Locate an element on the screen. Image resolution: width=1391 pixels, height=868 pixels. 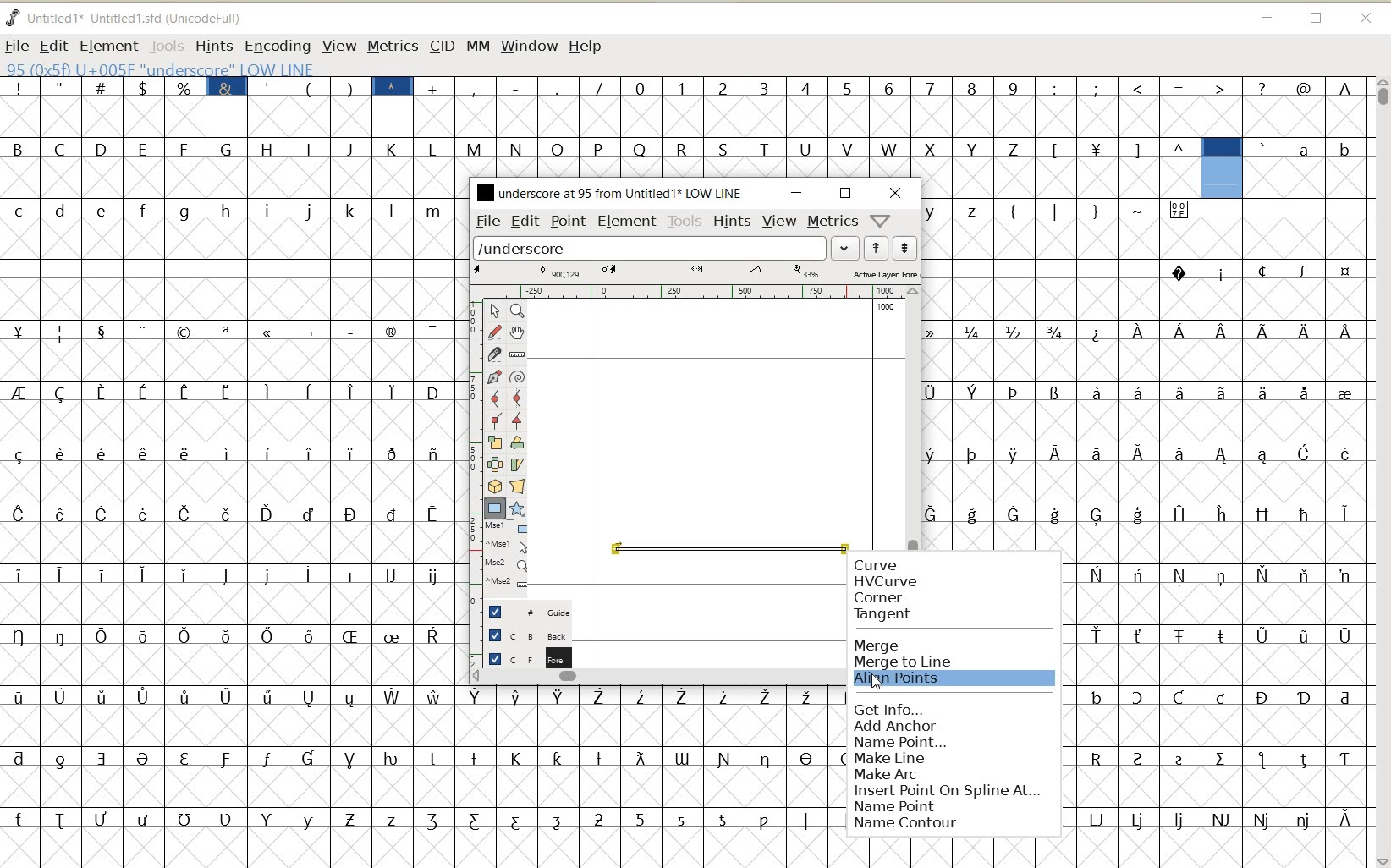
NAME CONTOUR is located at coordinates (904, 823).